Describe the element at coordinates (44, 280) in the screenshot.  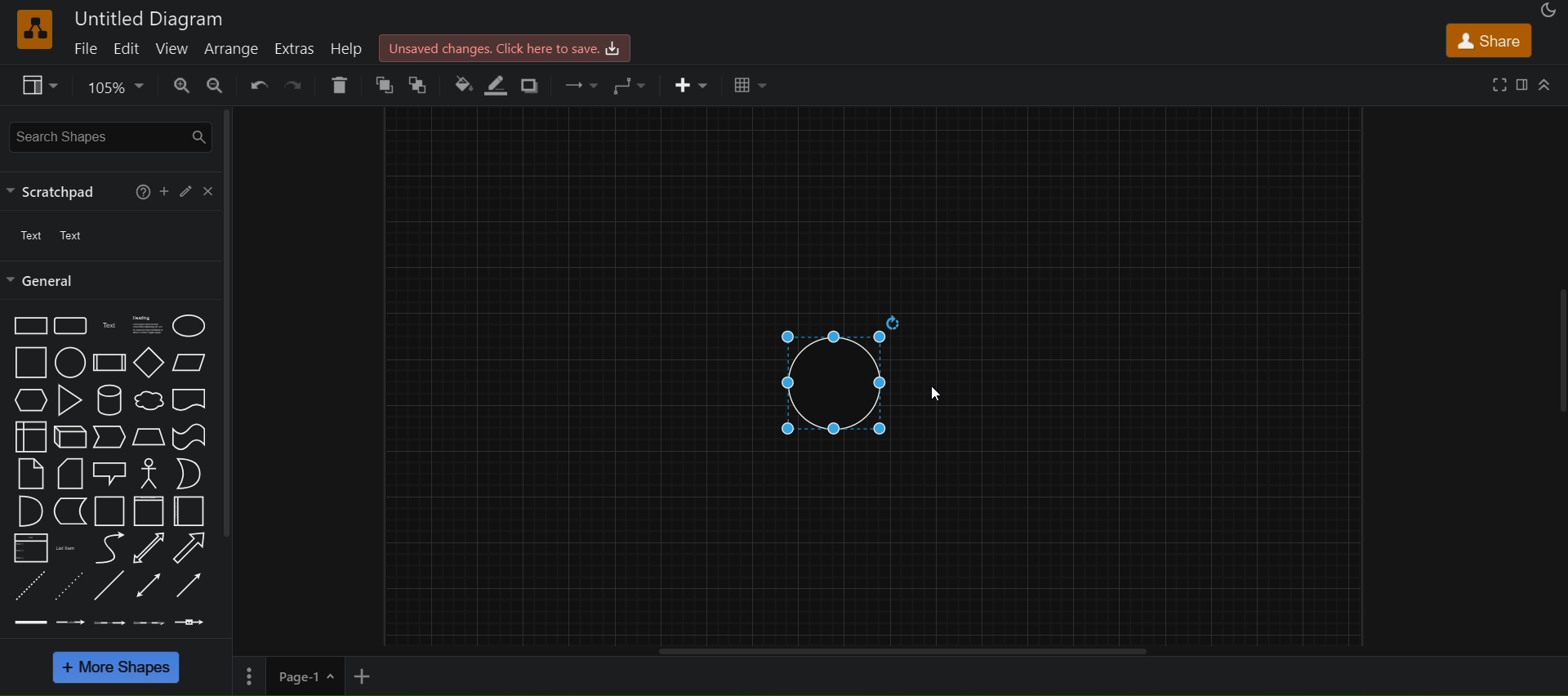
I see `general` at that location.